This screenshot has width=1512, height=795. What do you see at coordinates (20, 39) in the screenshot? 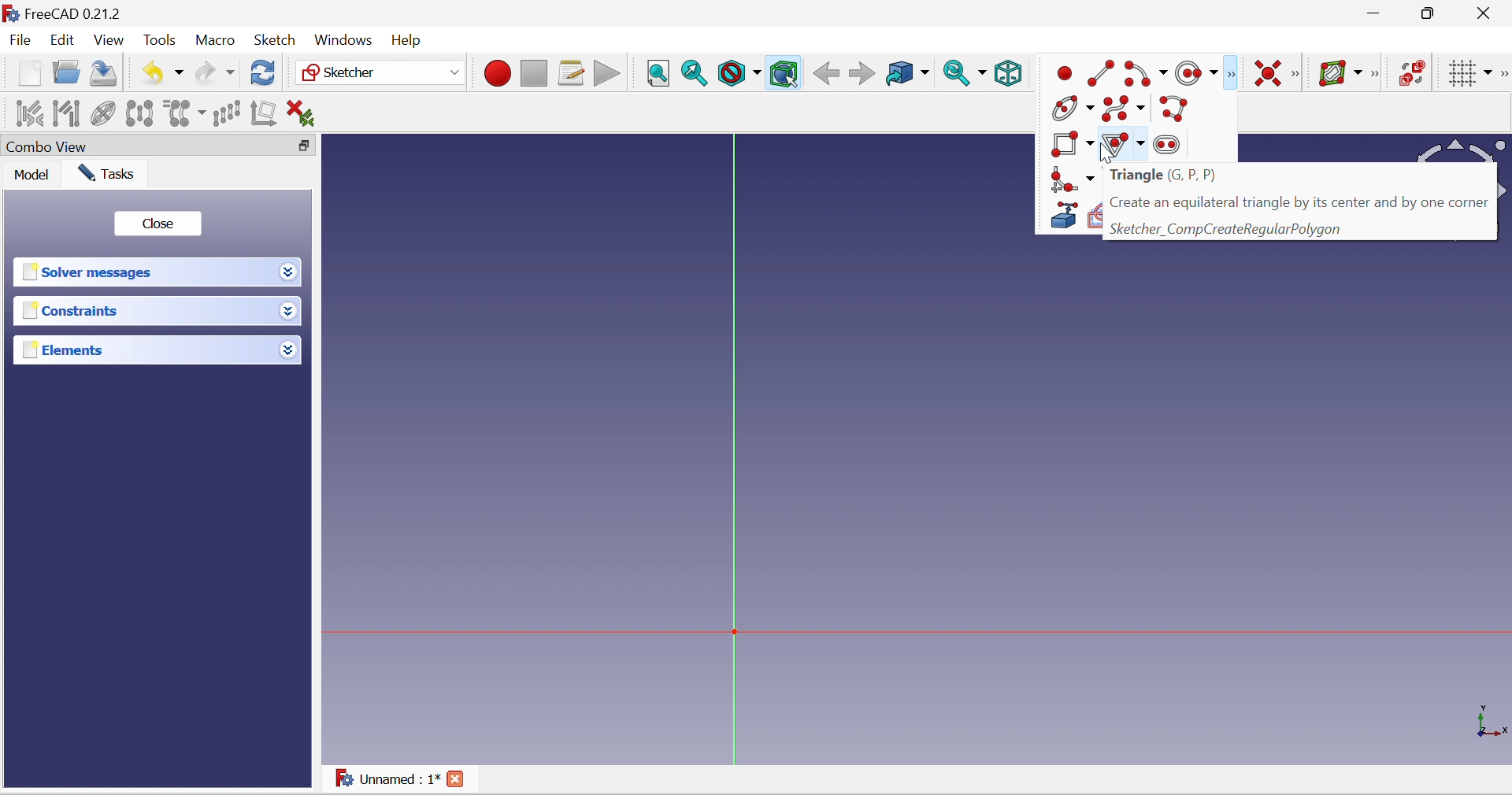
I see `File` at bounding box center [20, 39].